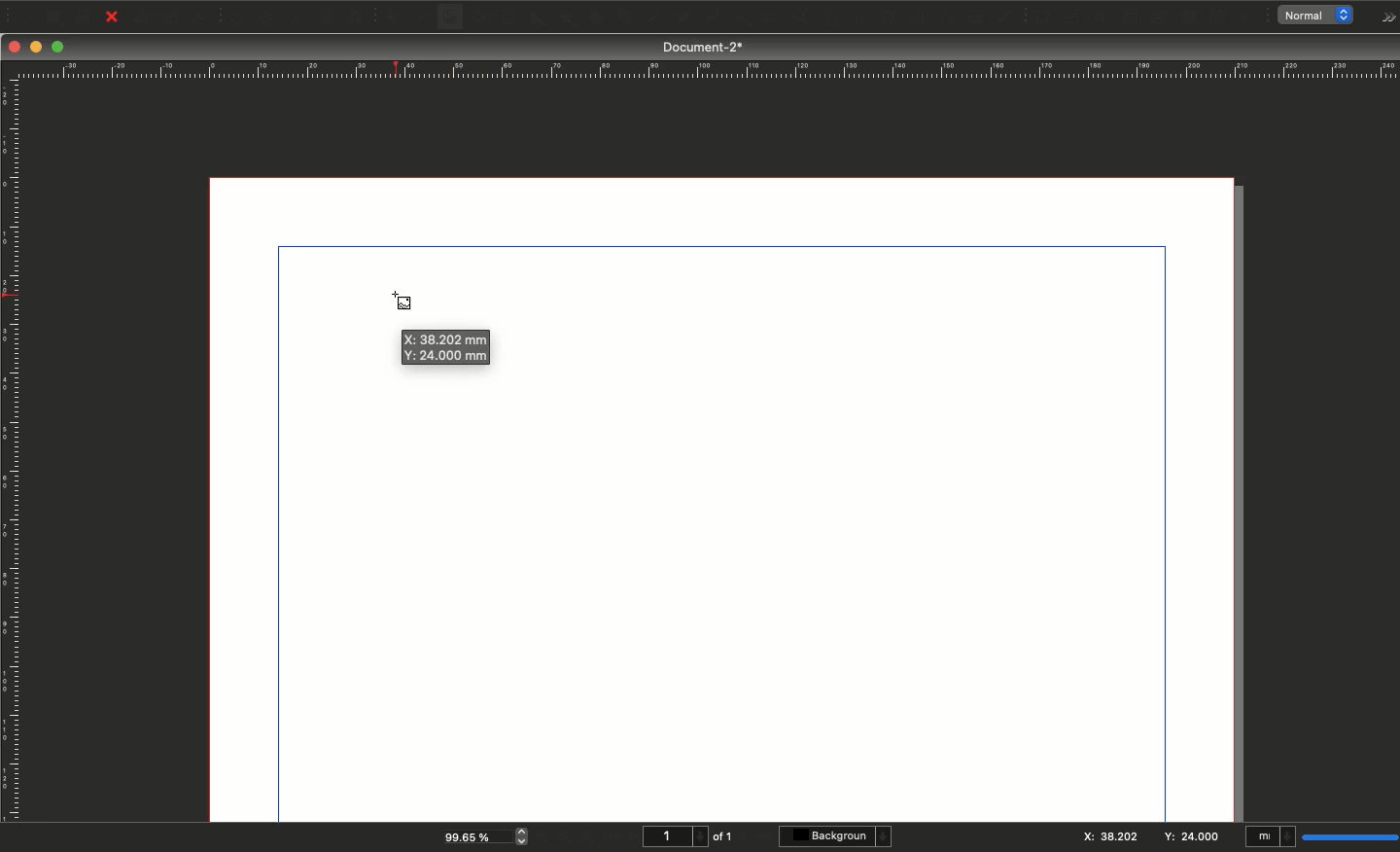 This screenshot has width=1400, height=852. Describe the element at coordinates (1189, 18) in the screenshot. I see `PDF list box` at that location.